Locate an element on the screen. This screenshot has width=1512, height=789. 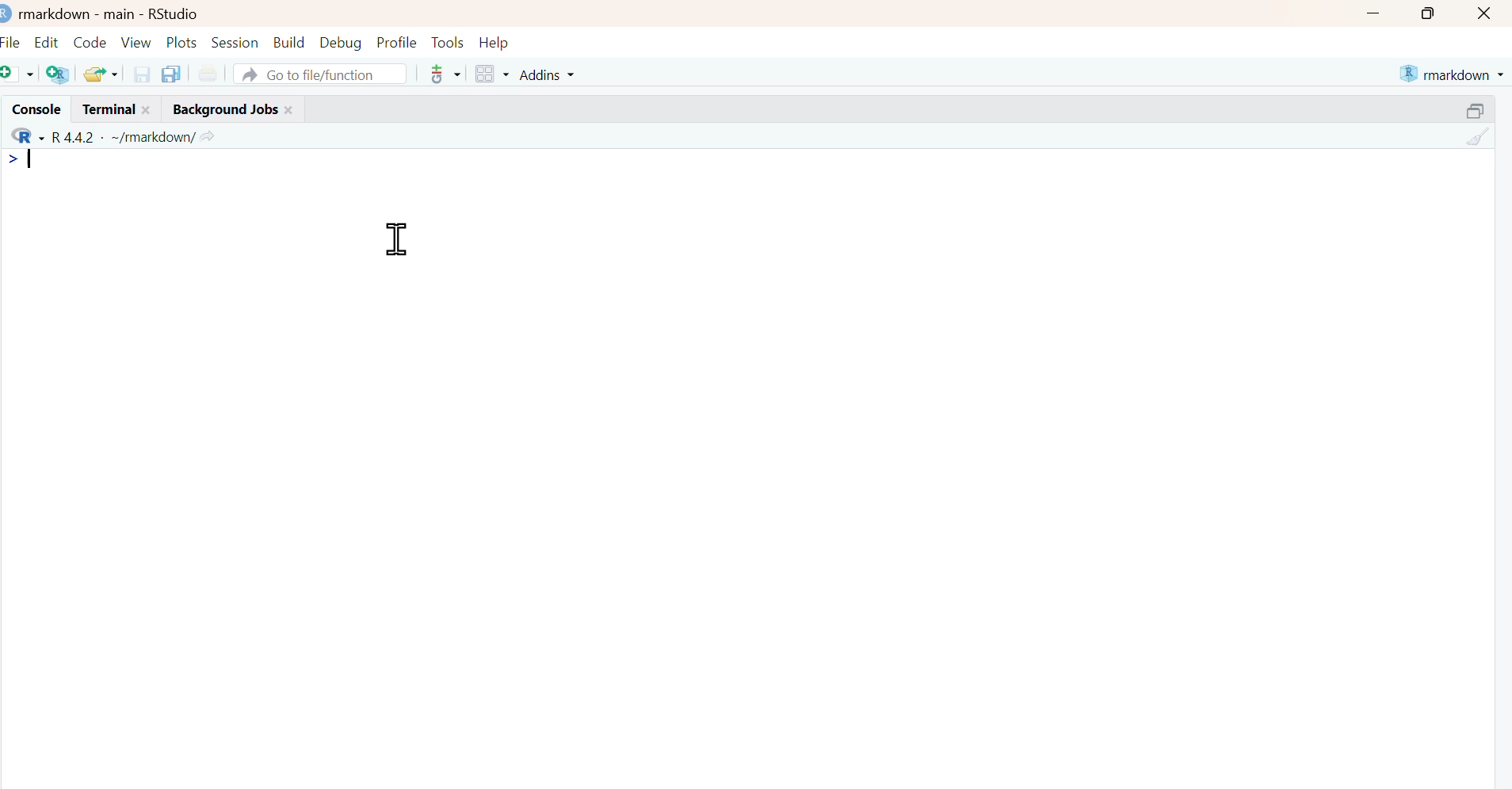
view current working directory is located at coordinates (208, 135).